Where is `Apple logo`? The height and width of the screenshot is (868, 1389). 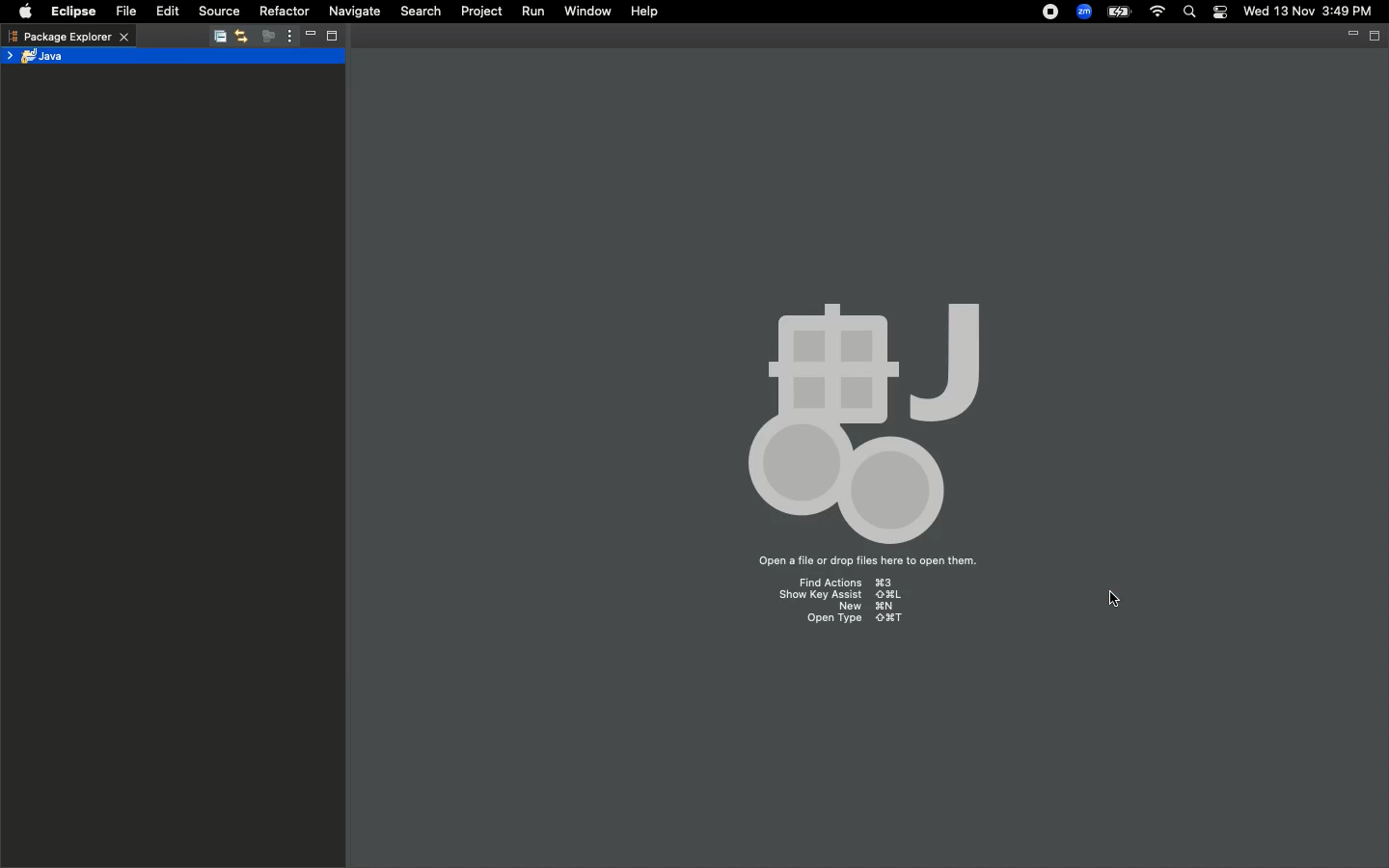 Apple logo is located at coordinates (25, 12).